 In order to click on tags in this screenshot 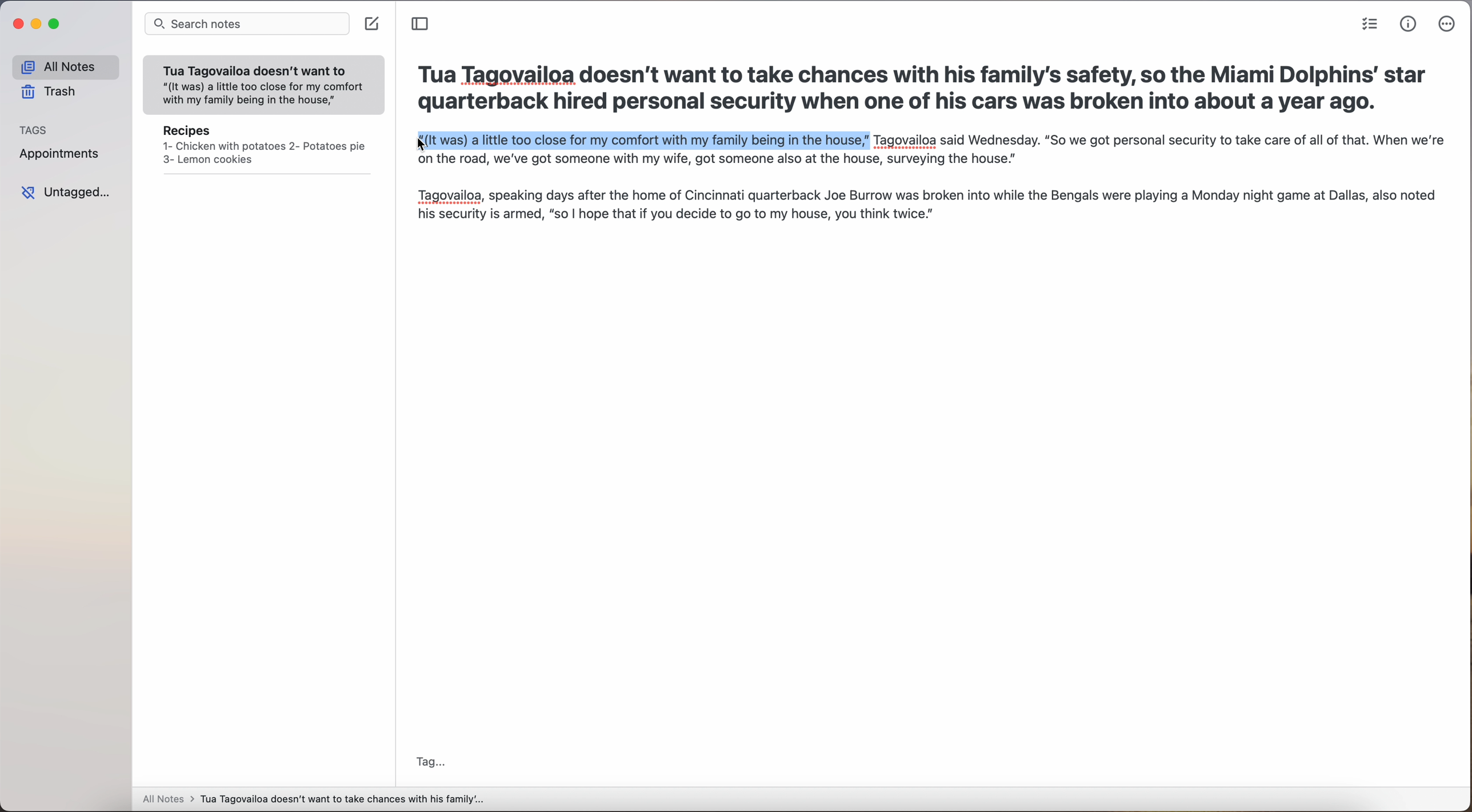, I will do `click(34, 129)`.